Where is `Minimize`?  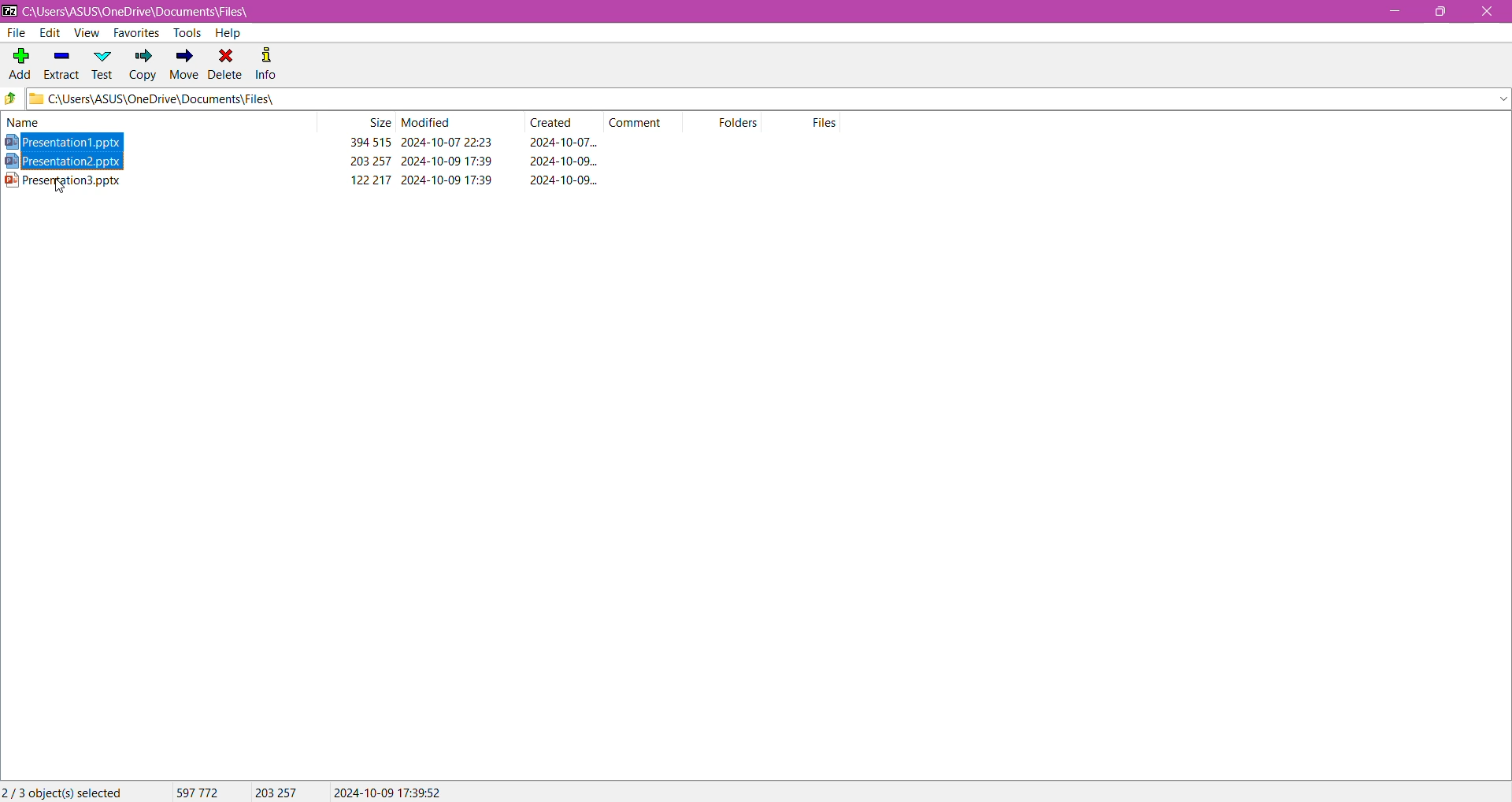 Minimize is located at coordinates (1393, 12).